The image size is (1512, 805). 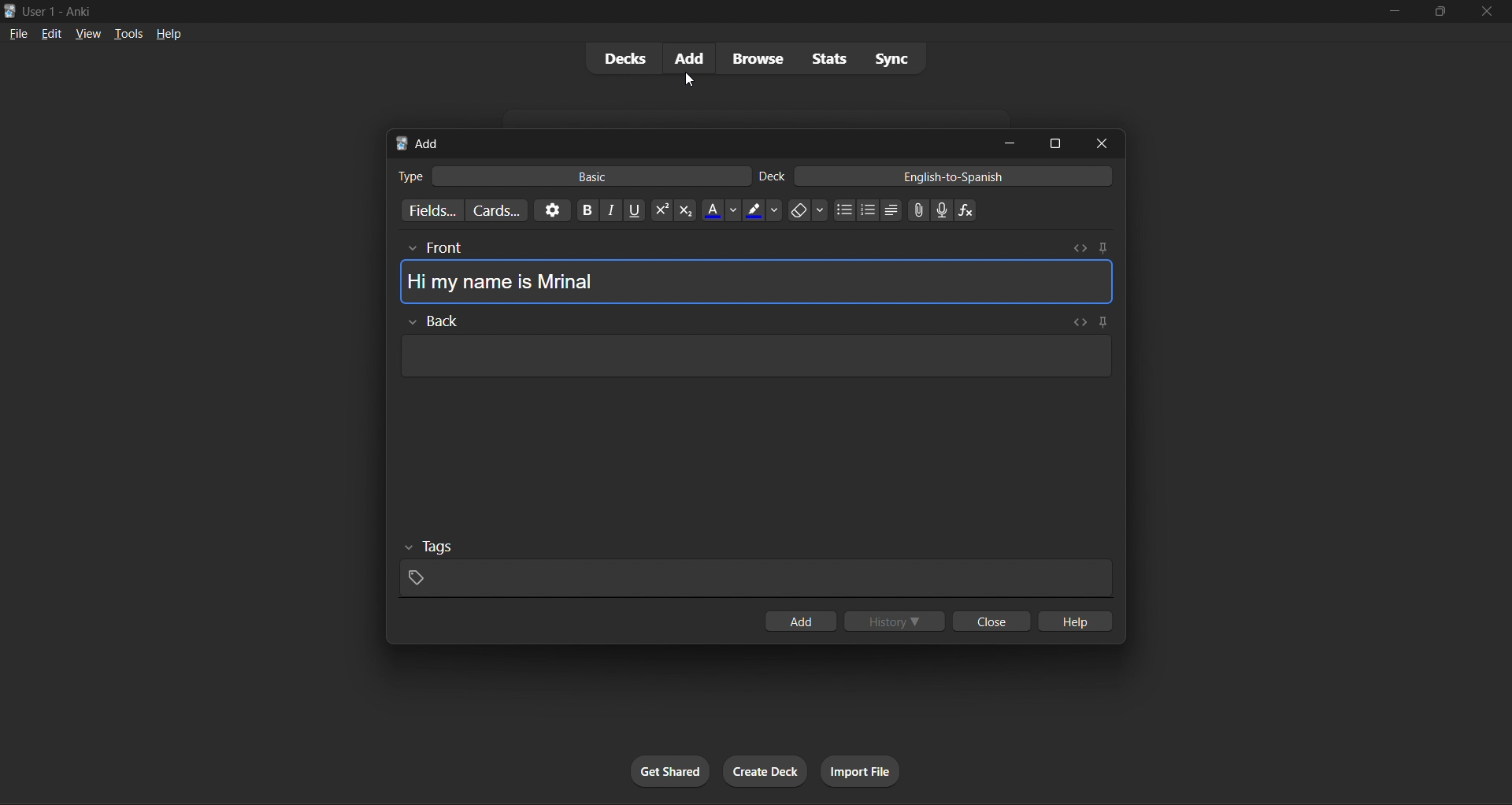 I want to click on maximize/restore, so click(x=1436, y=12).